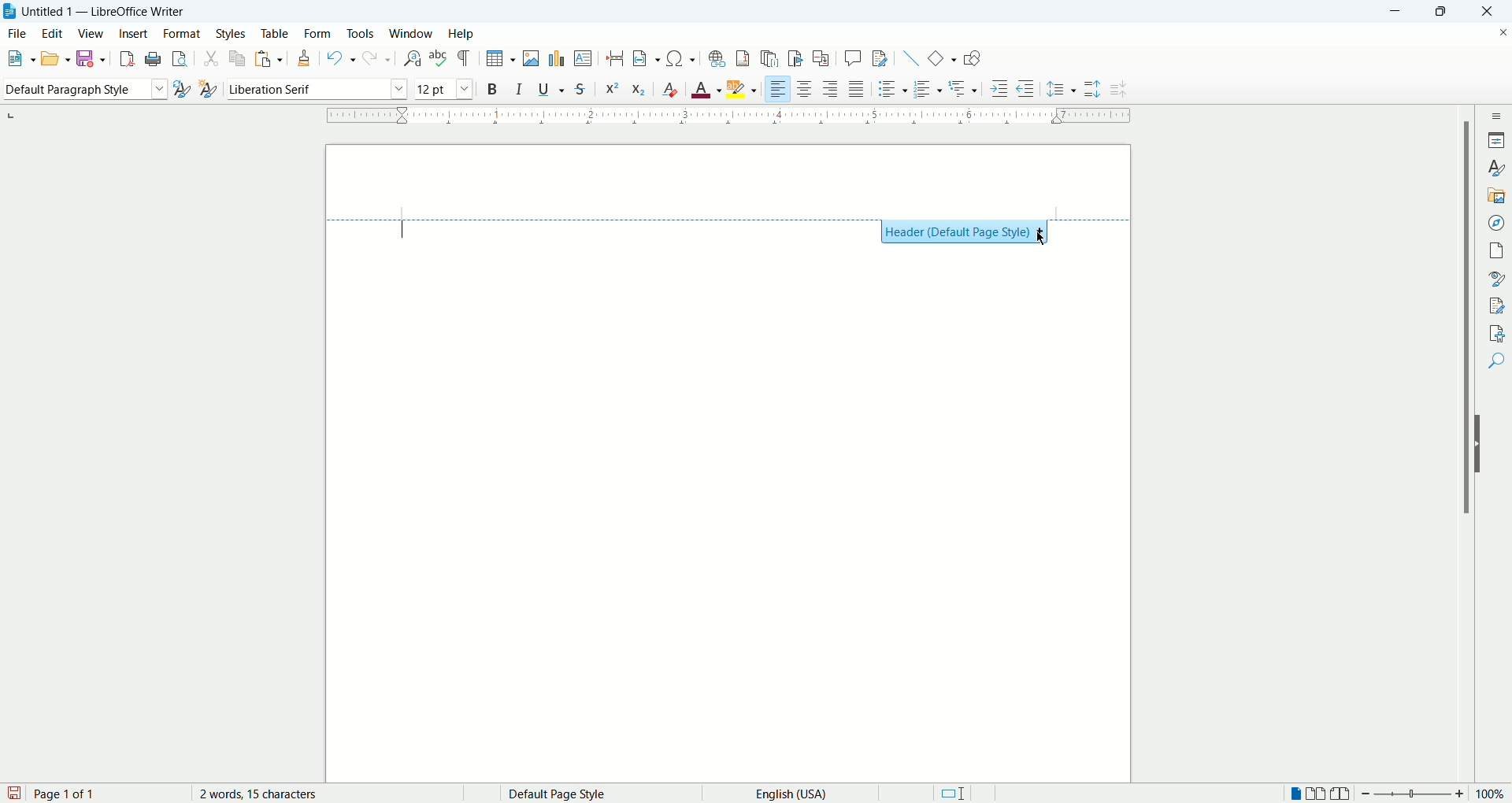 Image resolution: width=1512 pixels, height=803 pixels. Describe the element at coordinates (323, 794) in the screenshot. I see `word count` at that location.